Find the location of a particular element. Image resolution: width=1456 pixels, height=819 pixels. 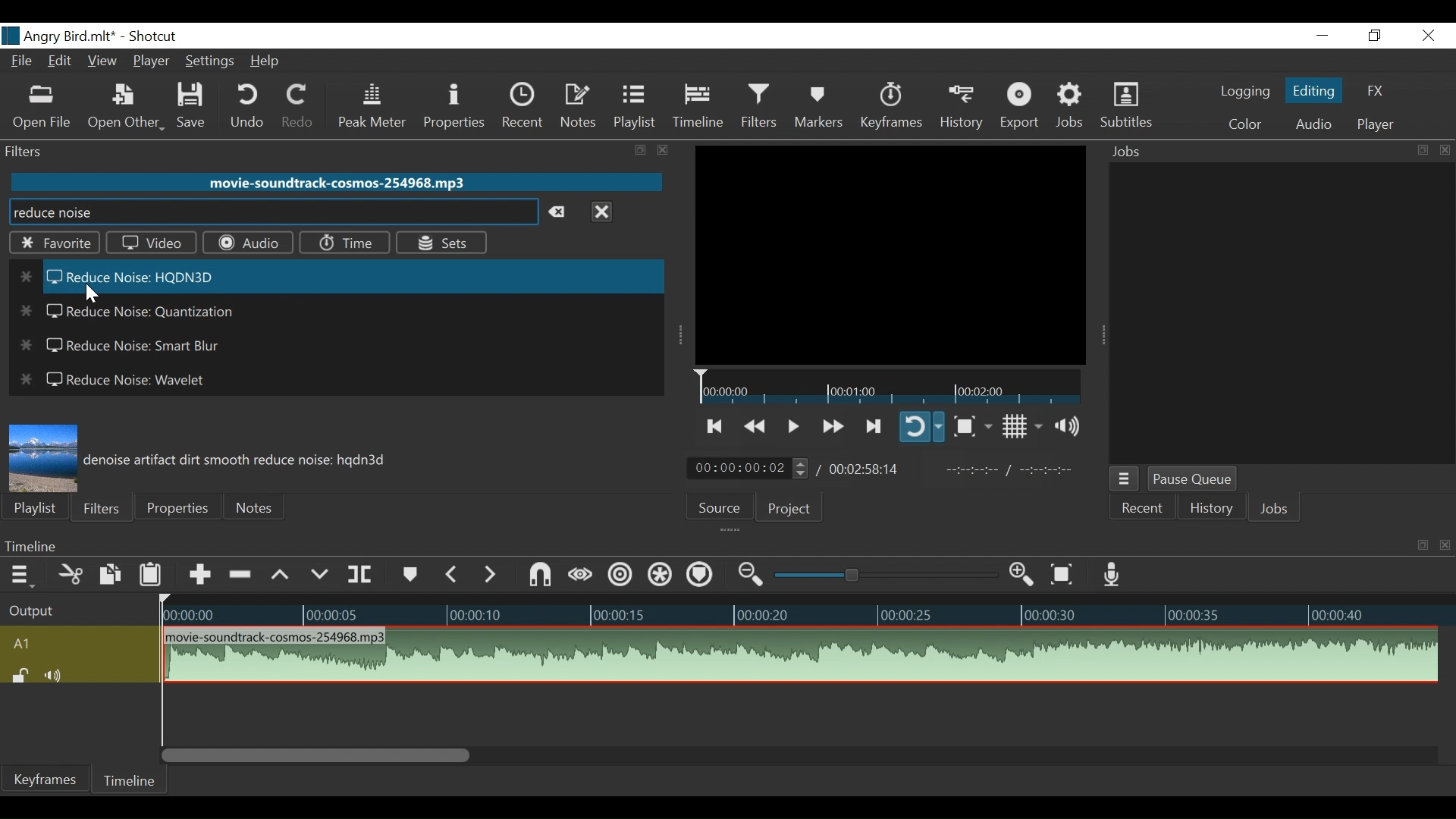

Settings is located at coordinates (208, 61).